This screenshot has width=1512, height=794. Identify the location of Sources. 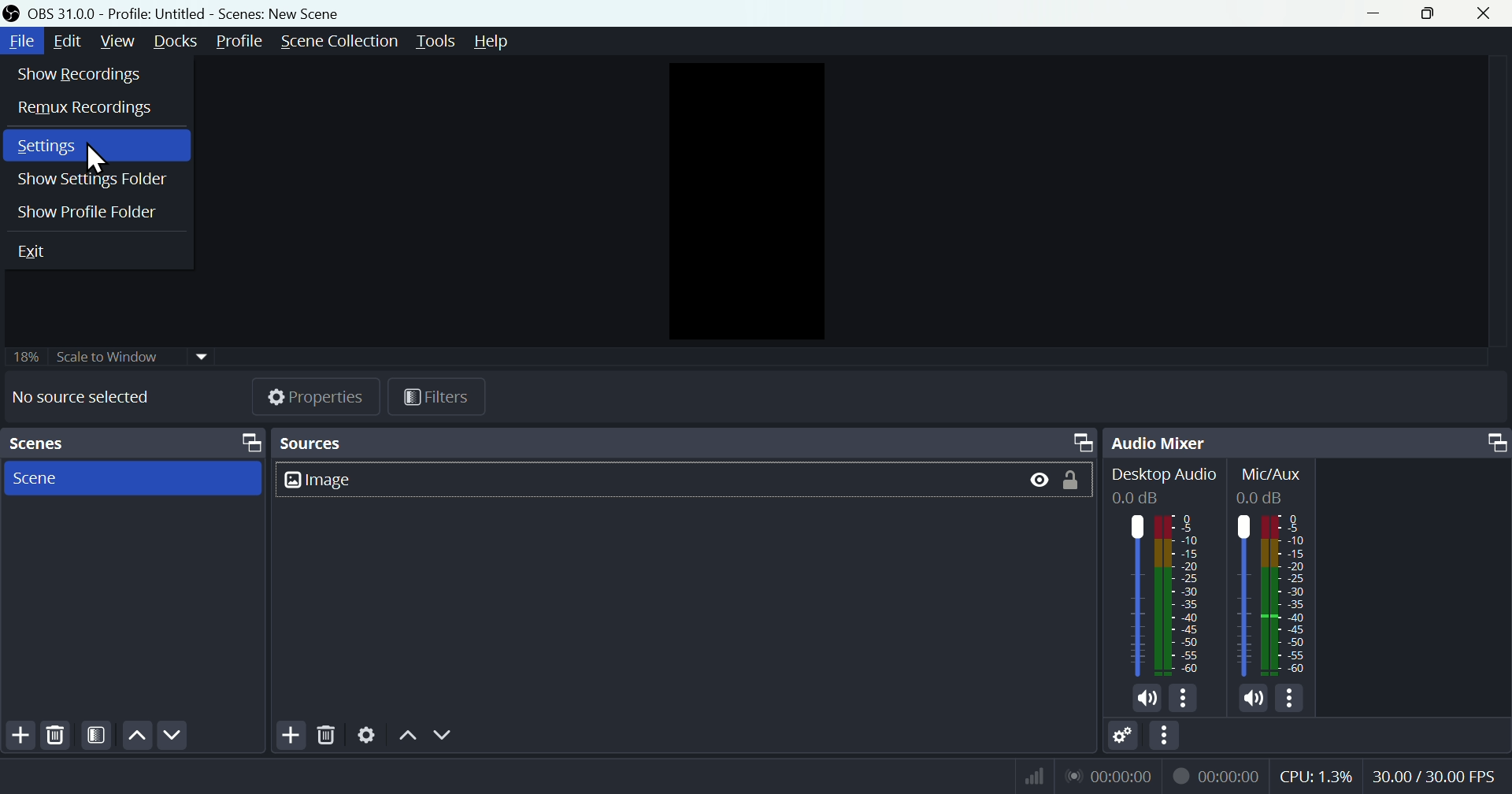
(684, 443).